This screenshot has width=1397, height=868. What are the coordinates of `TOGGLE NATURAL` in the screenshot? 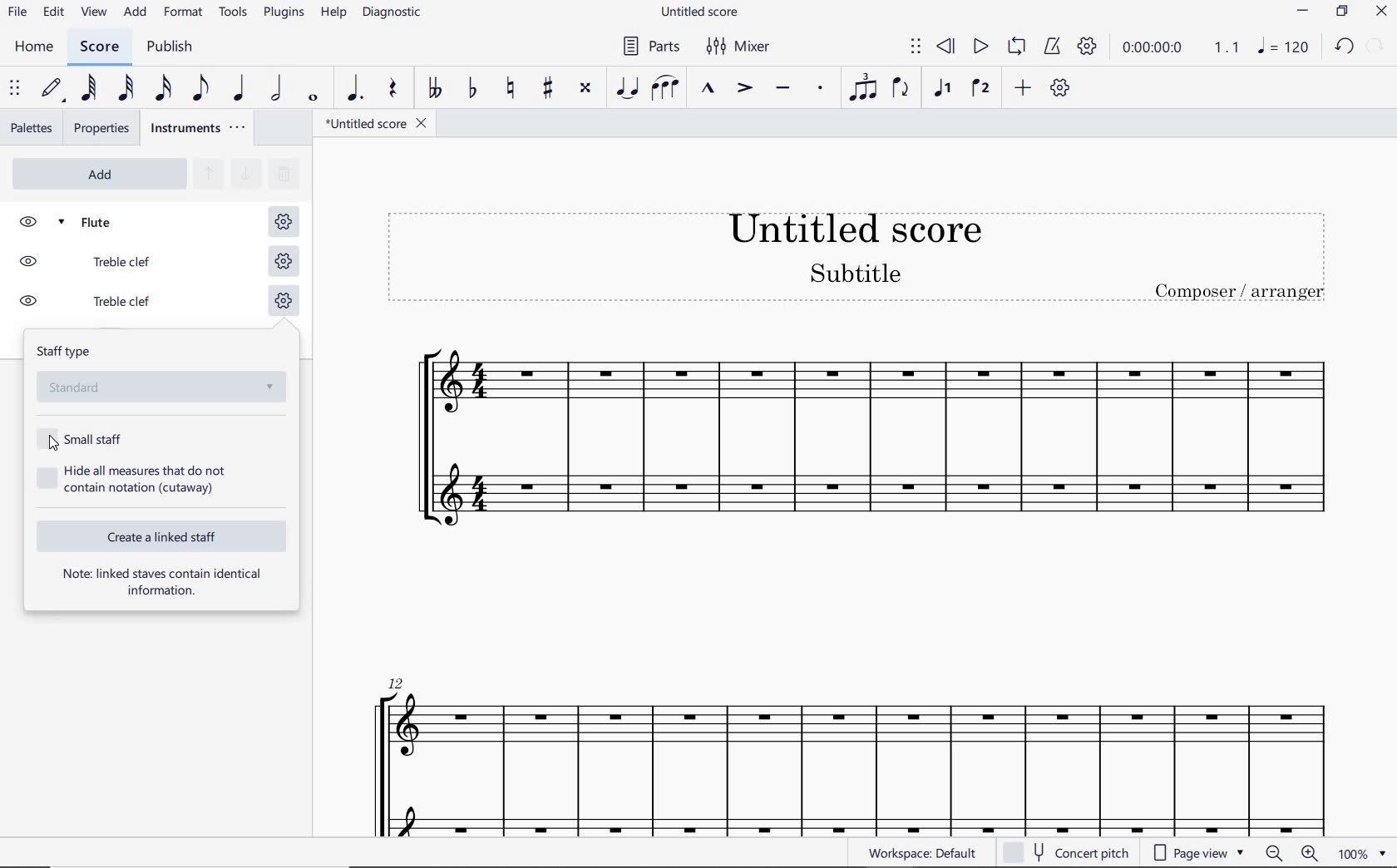 It's located at (510, 89).